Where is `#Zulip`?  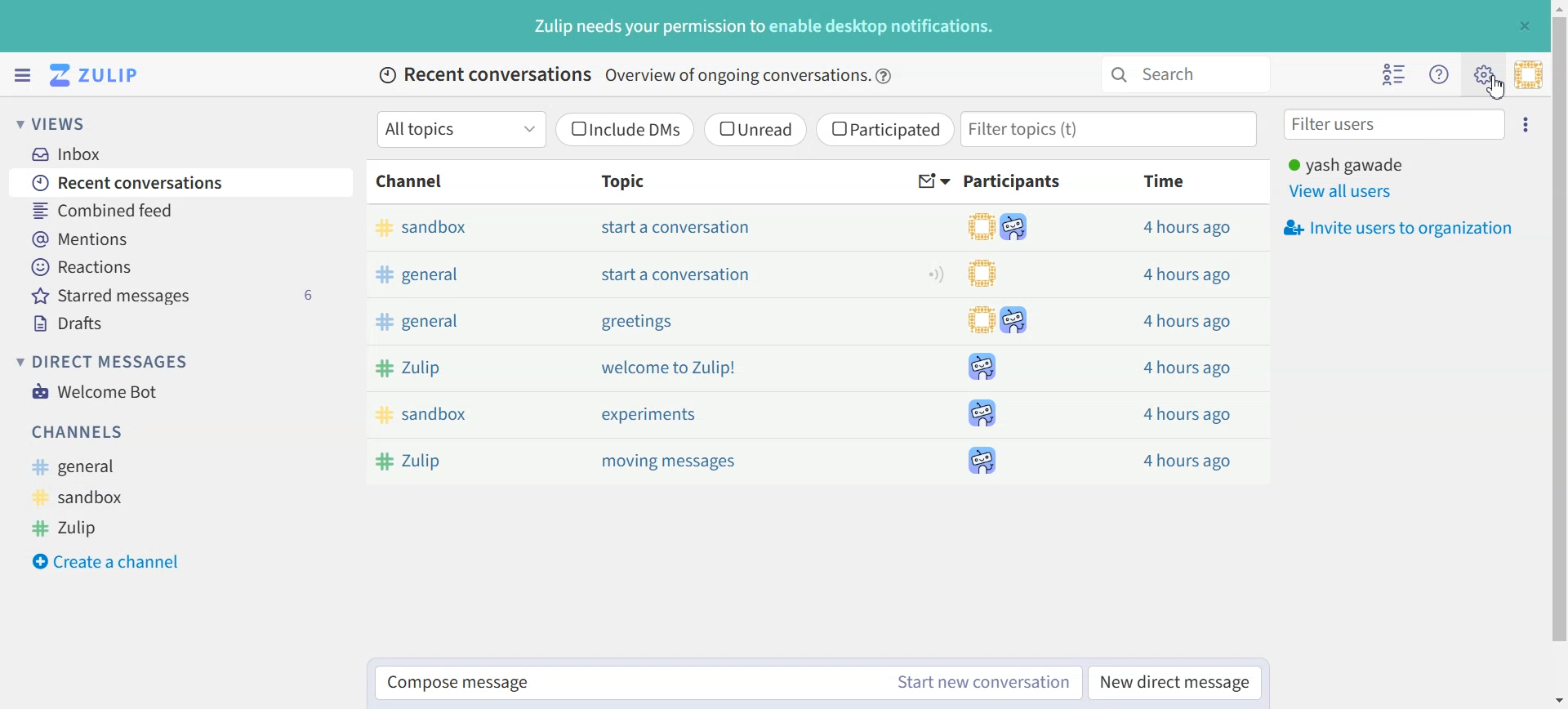
#Zulip is located at coordinates (79, 526).